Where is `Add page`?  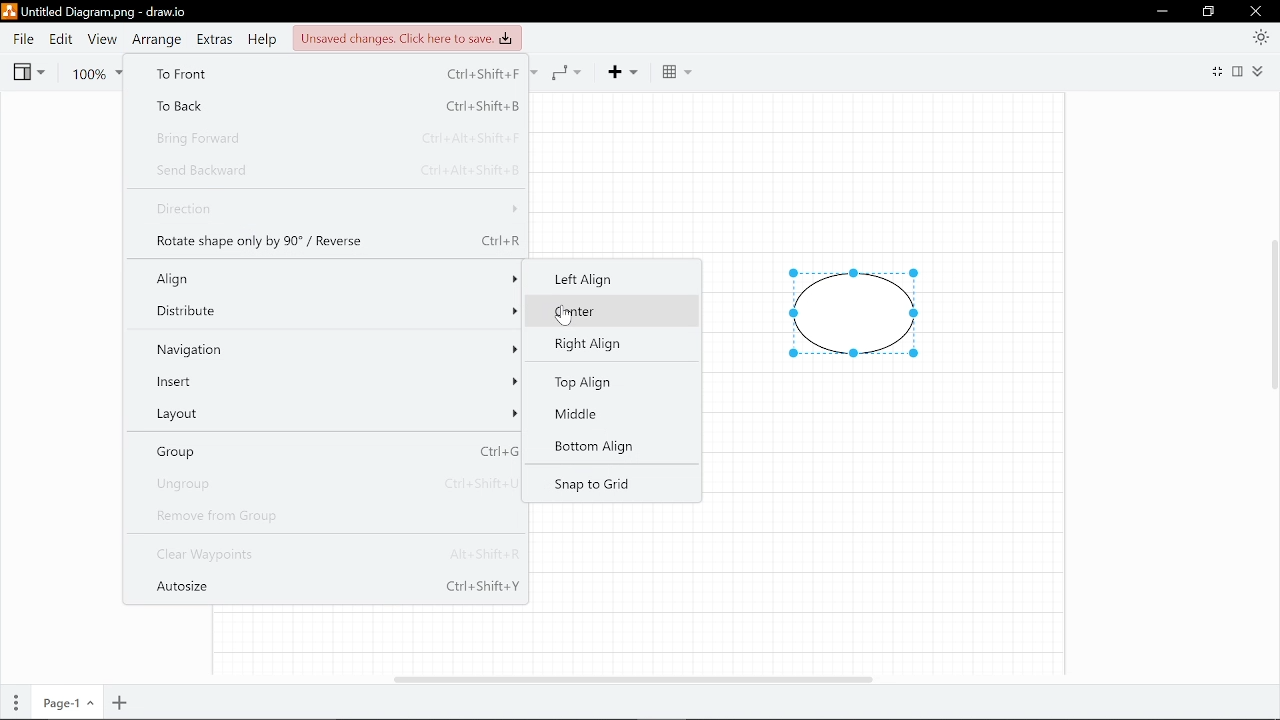
Add page is located at coordinates (121, 703).